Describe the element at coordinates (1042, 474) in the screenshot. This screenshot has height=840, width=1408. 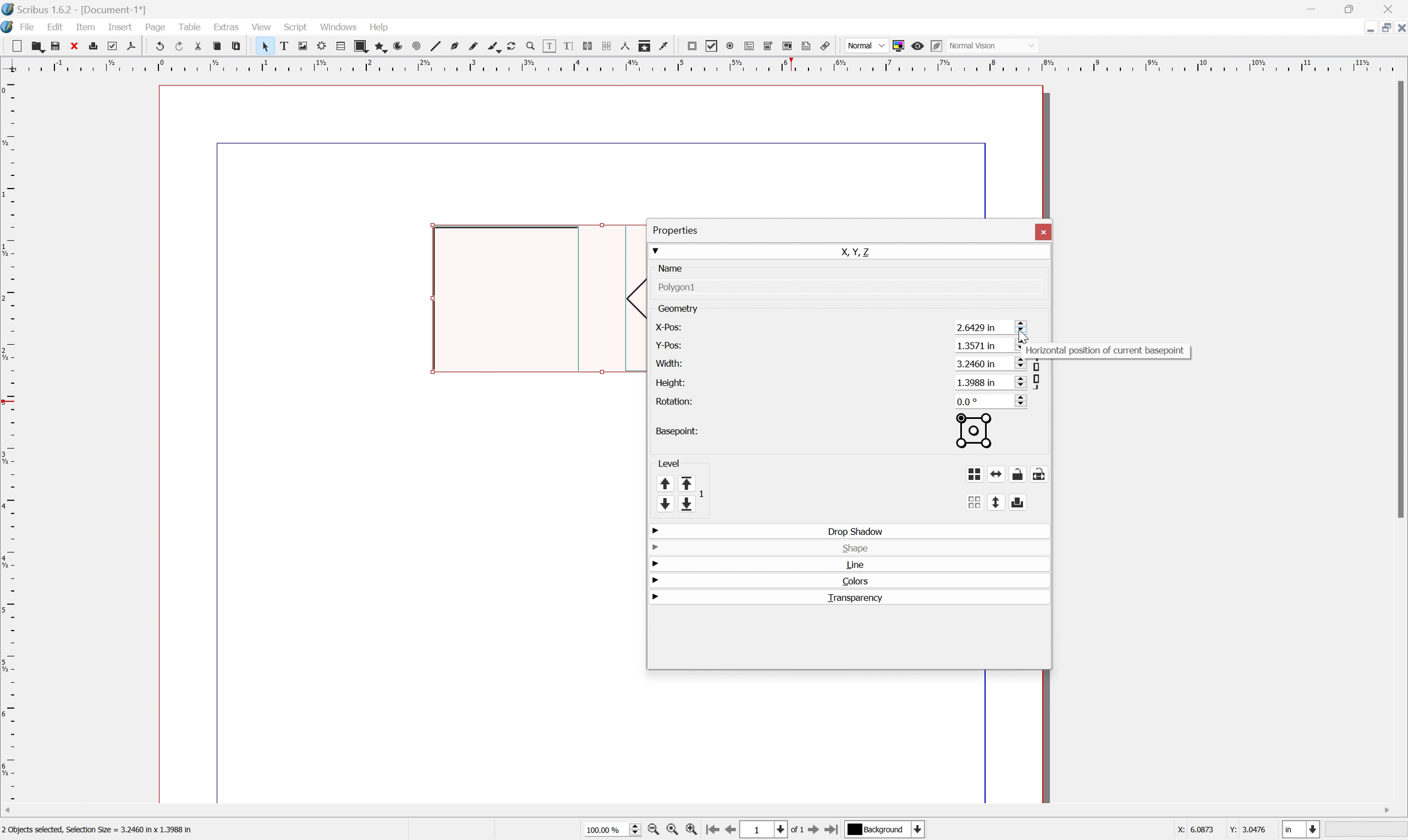
I see `lock or unlock size of object` at that location.